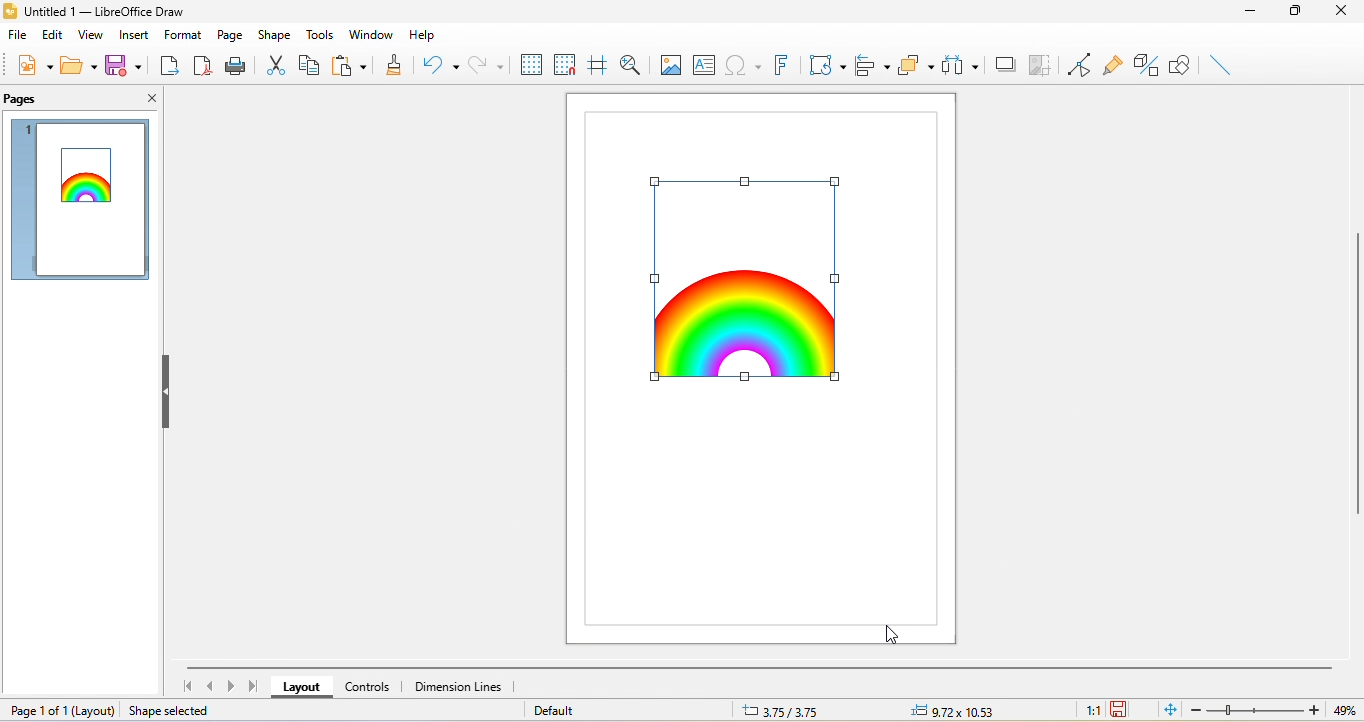 This screenshot has height=722, width=1364. Describe the element at coordinates (782, 64) in the screenshot. I see `font work text` at that location.